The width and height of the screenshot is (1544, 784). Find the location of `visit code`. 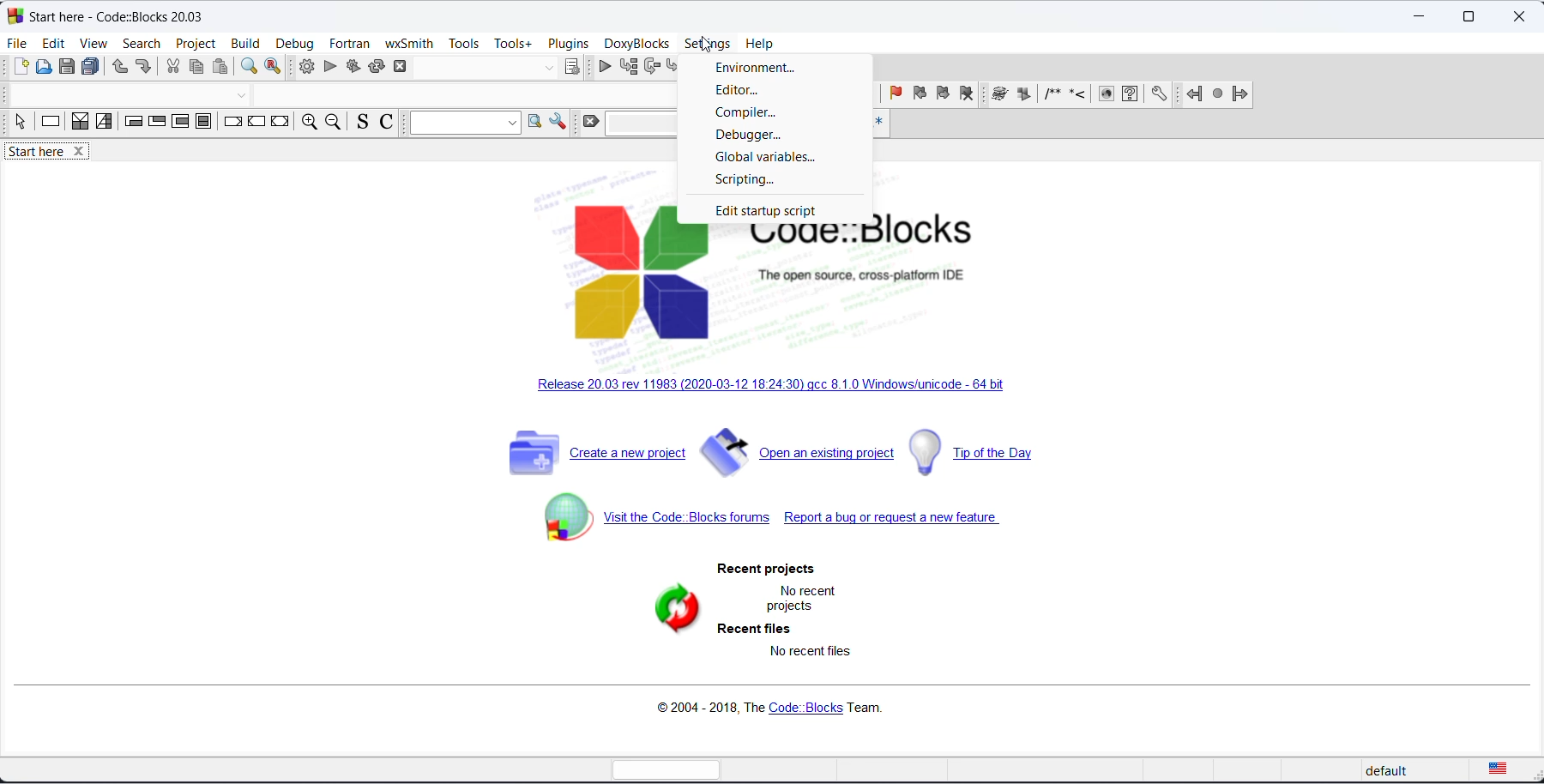

visit code is located at coordinates (654, 517).